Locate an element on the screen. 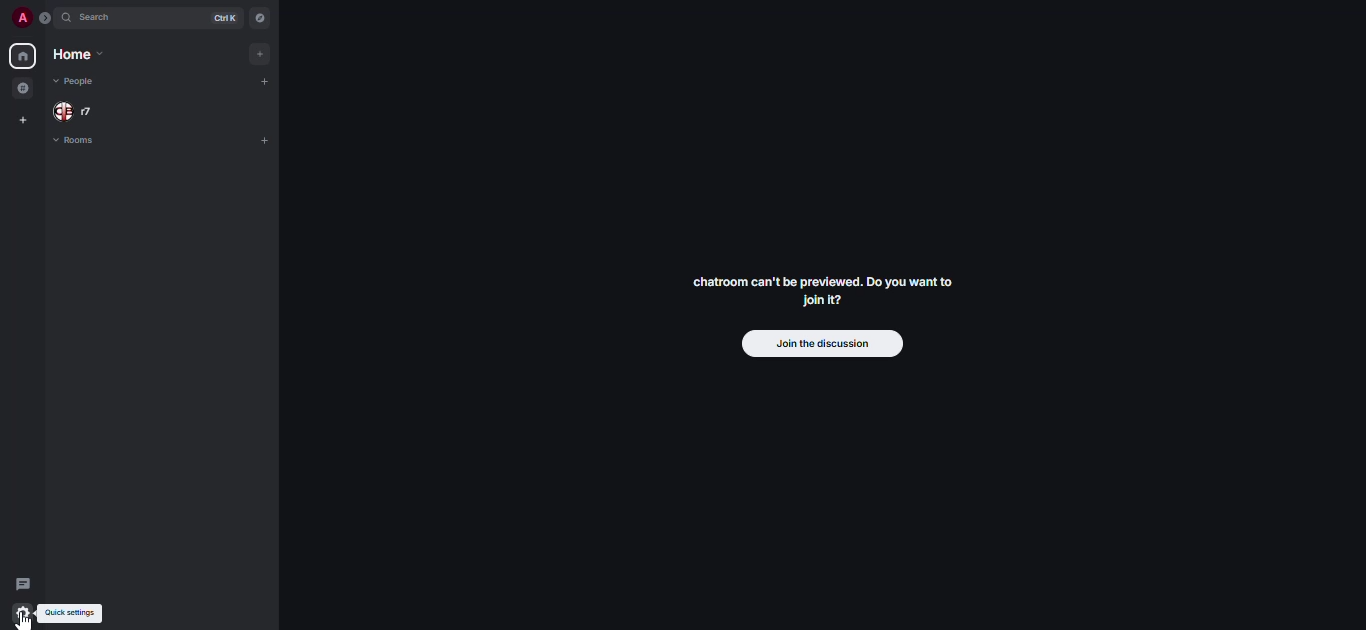 Image resolution: width=1366 pixels, height=630 pixels. rooms is located at coordinates (82, 141).